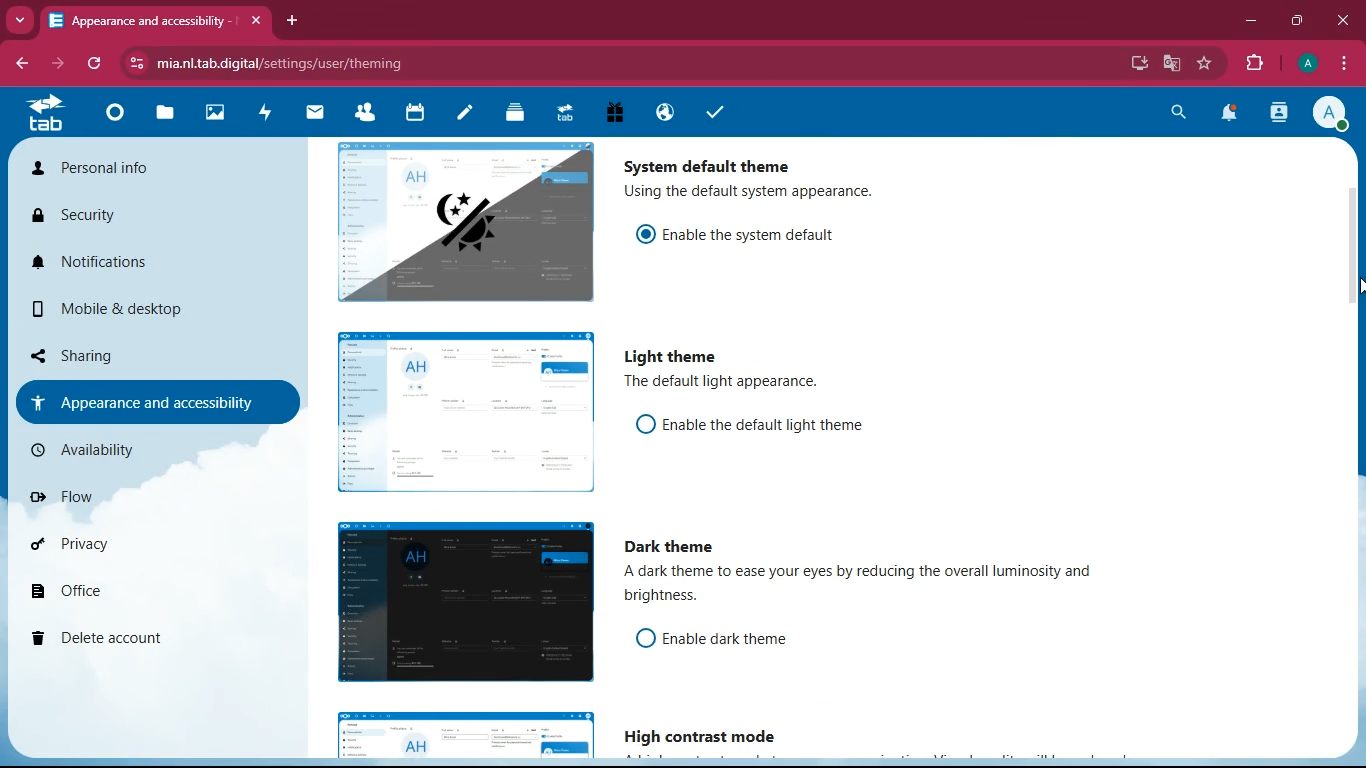 The image size is (1366, 768). I want to click on google translate, so click(1176, 64).